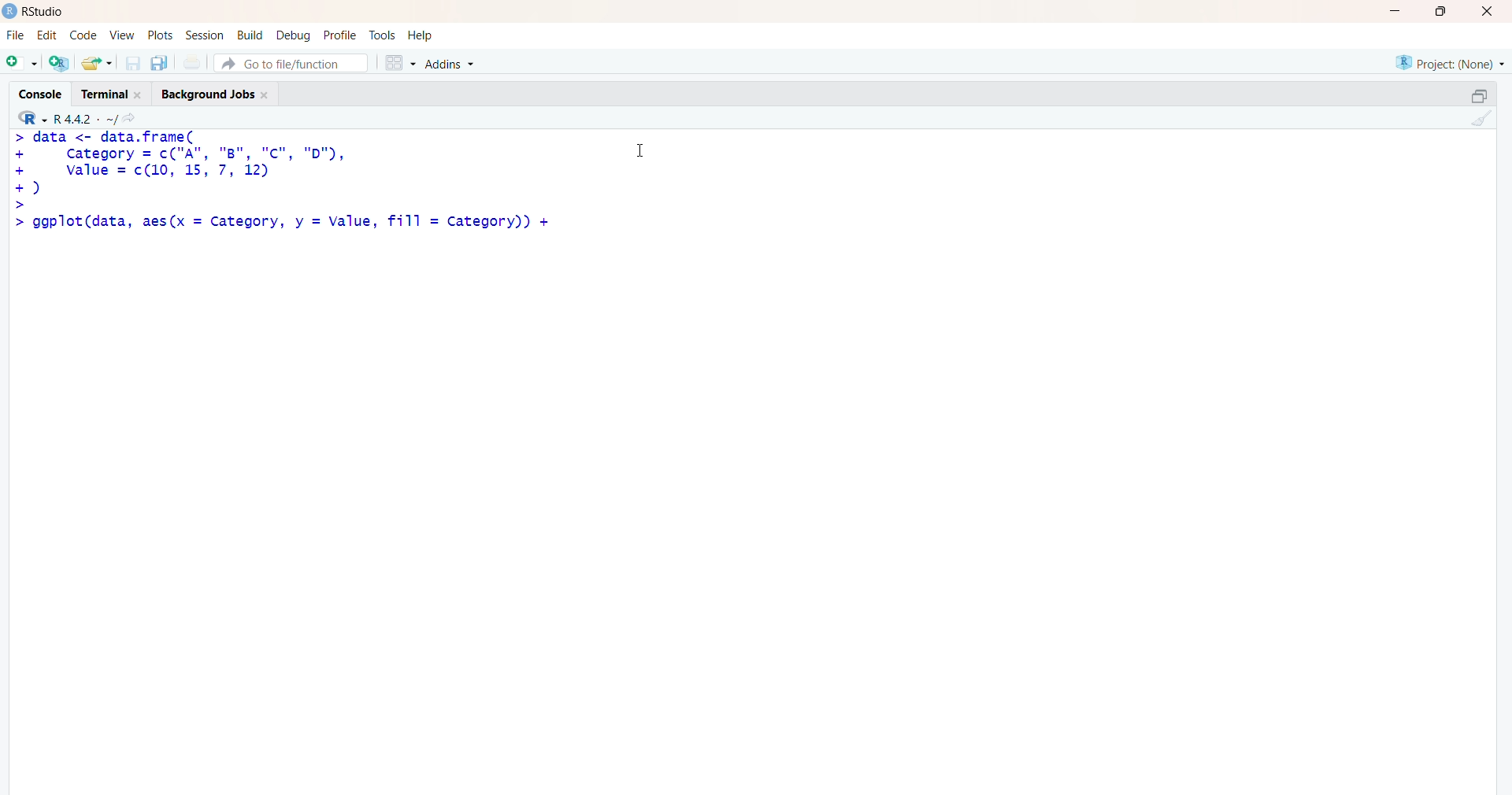 This screenshot has width=1512, height=795. Describe the element at coordinates (83, 35) in the screenshot. I see `code` at that location.